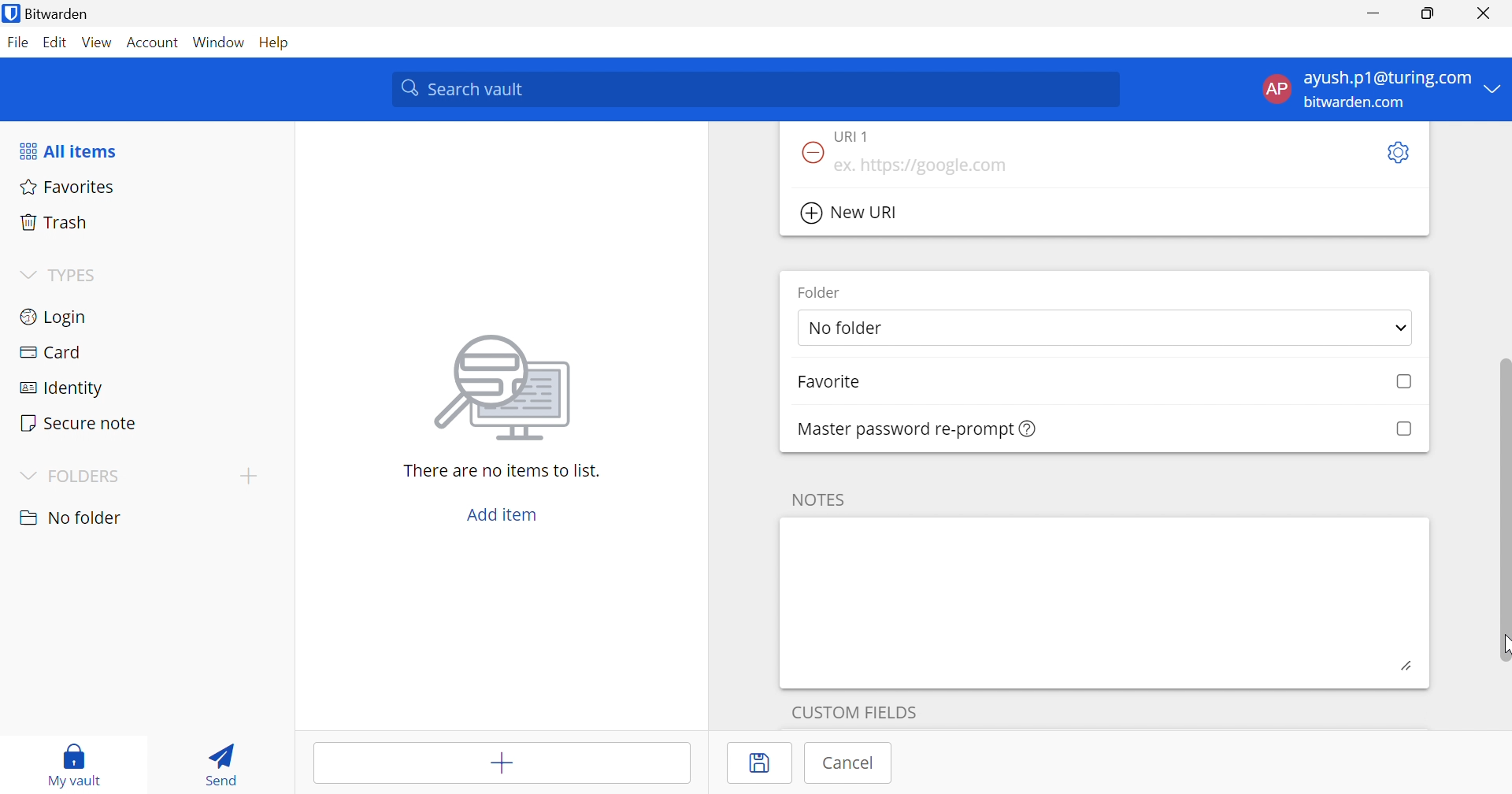 The width and height of the screenshot is (1512, 794). Describe the element at coordinates (50, 352) in the screenshot. I see `Card` at that location.